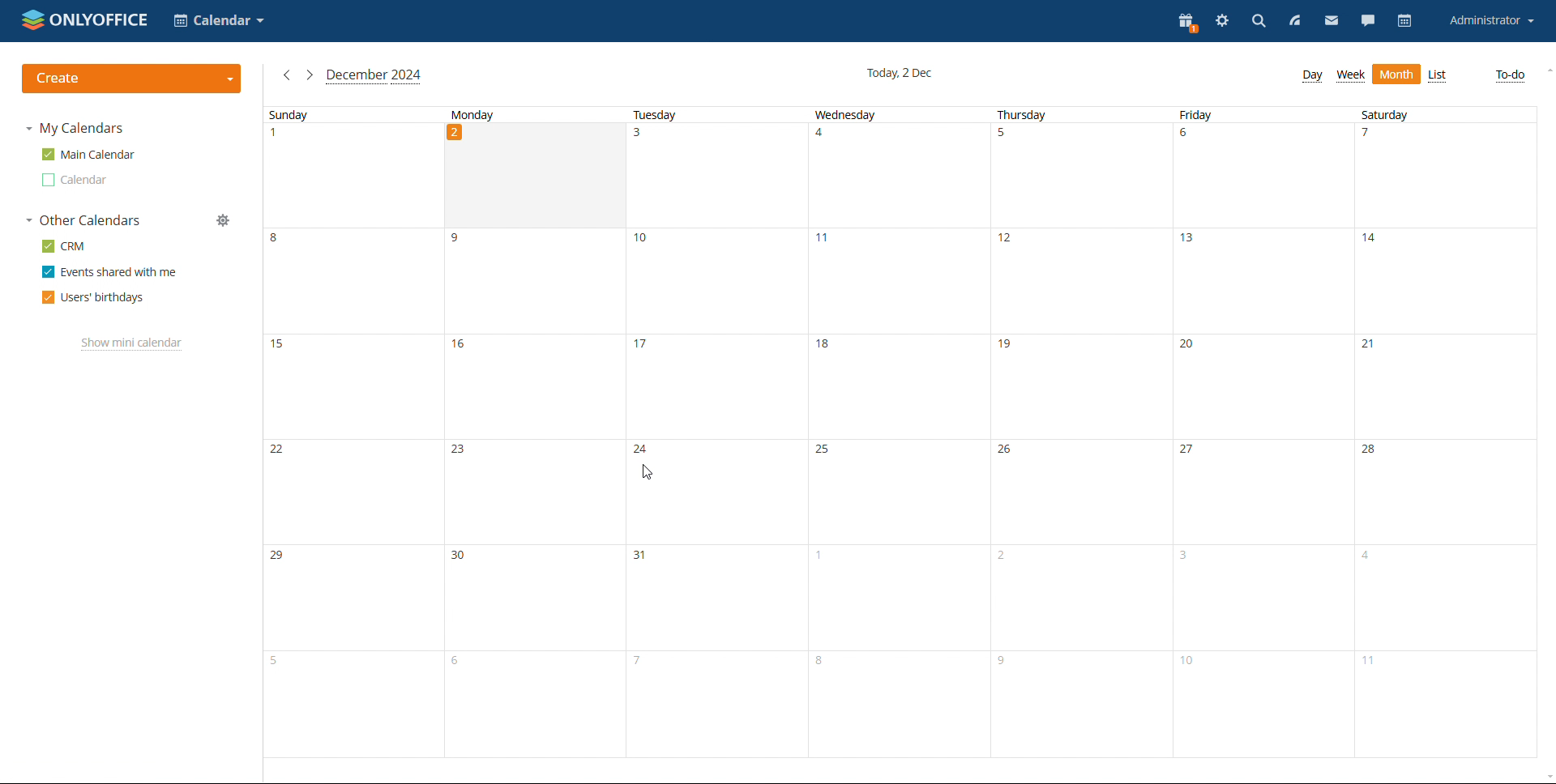 This screenshot has width=1556, height=784. What do you see at coordinates (133, 343) in the screenshot?
I see `show mini calendar` at bounding box center [133, 343].